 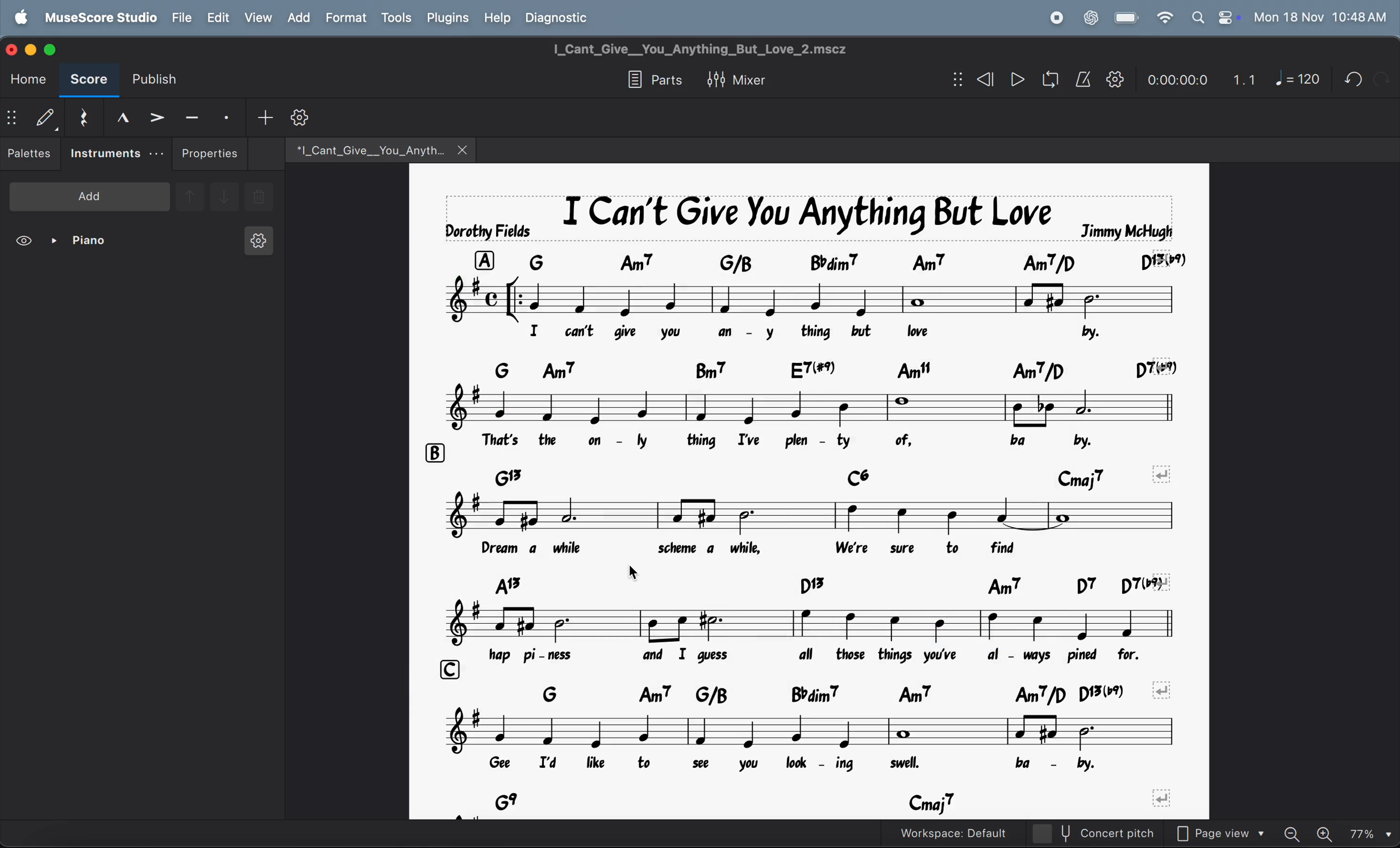 I want to click on rows, so click(x=484, y=255).